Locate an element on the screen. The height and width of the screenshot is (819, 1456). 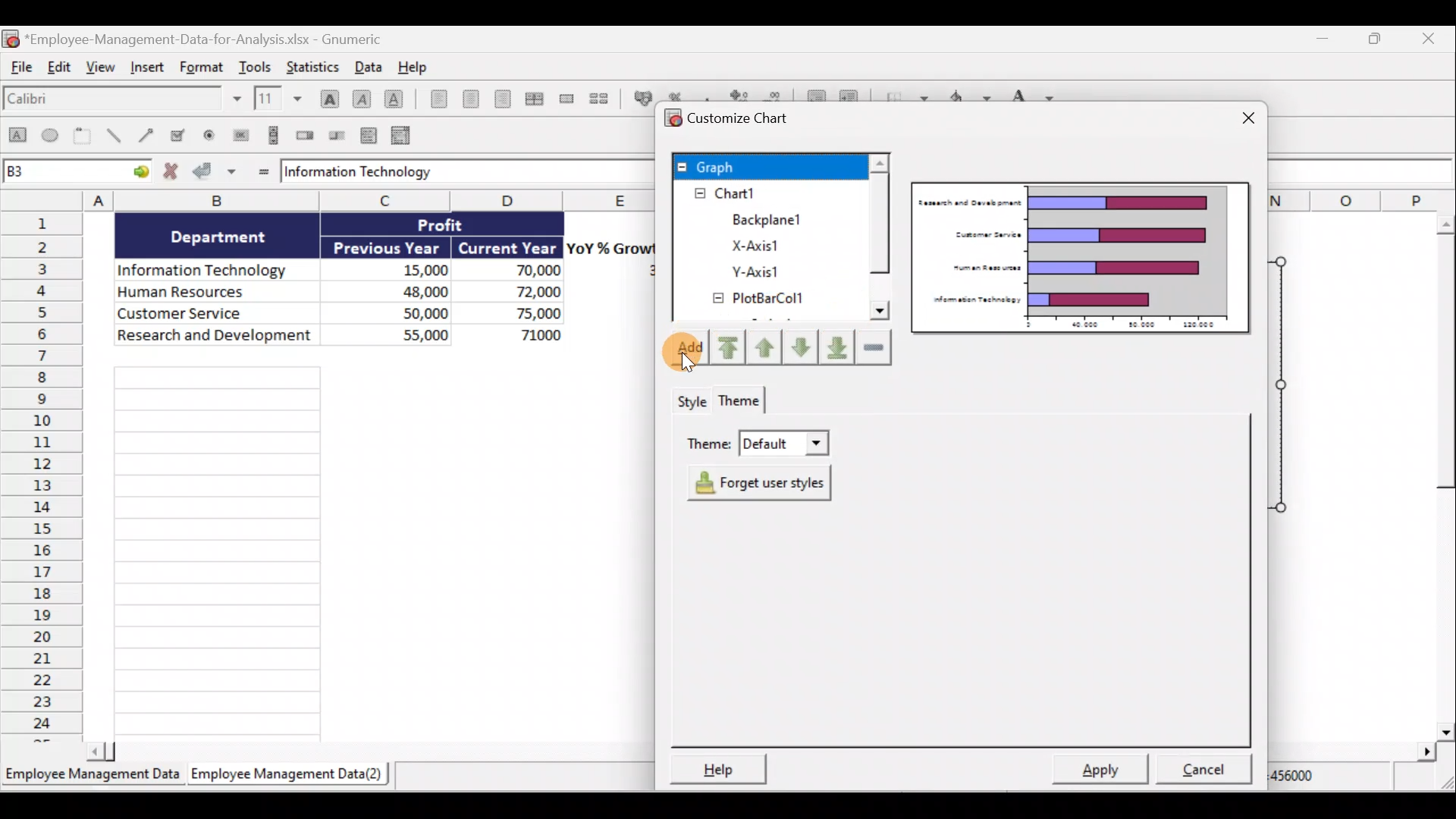
Help is located at coordinates (419, 67).